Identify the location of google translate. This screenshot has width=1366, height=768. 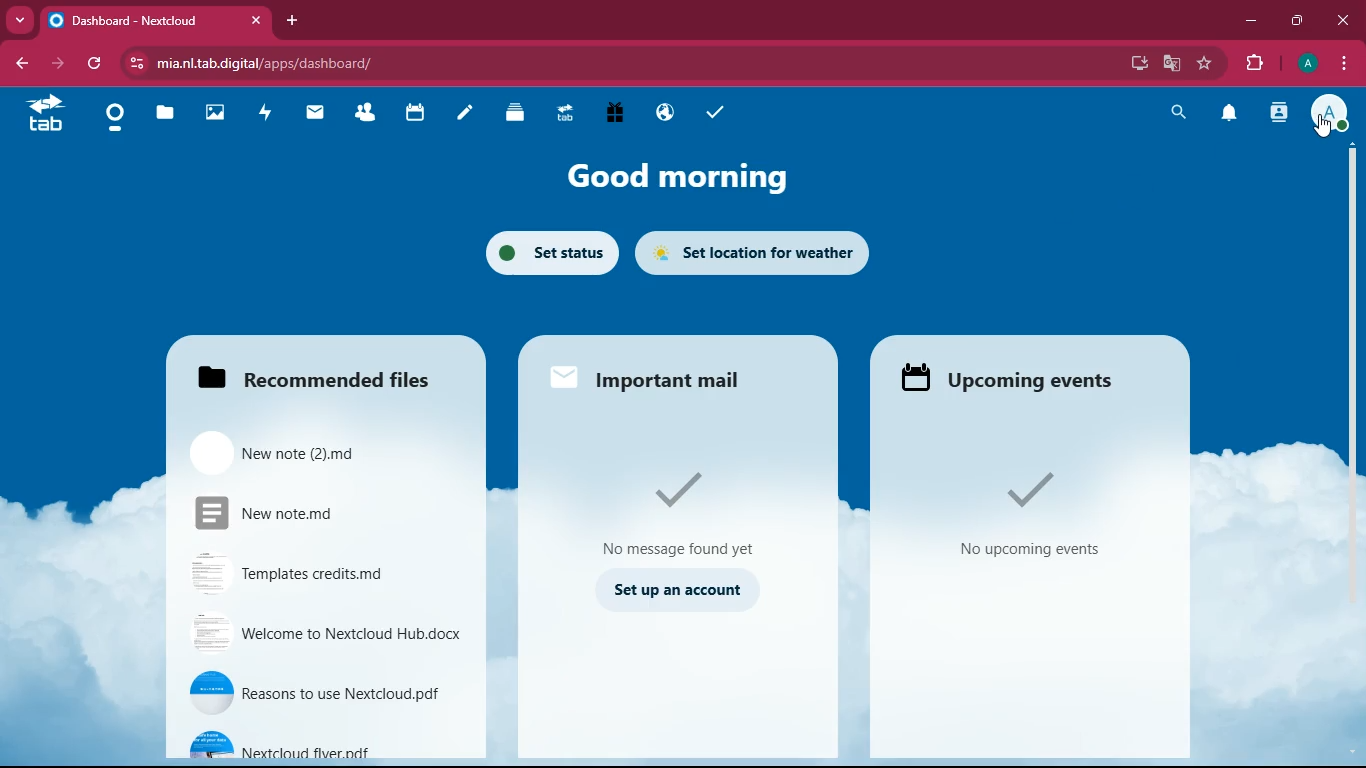
(1174, 61).